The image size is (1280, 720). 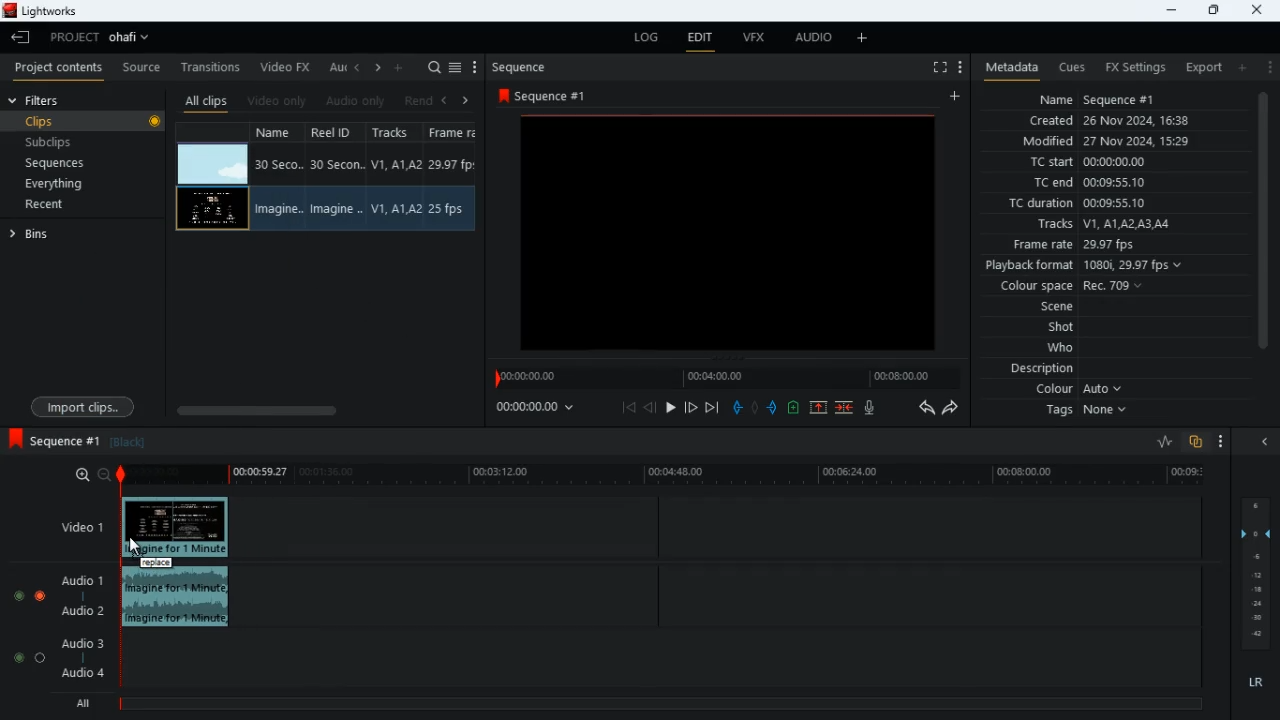 I want to click on add, so click(x=400, y=66).